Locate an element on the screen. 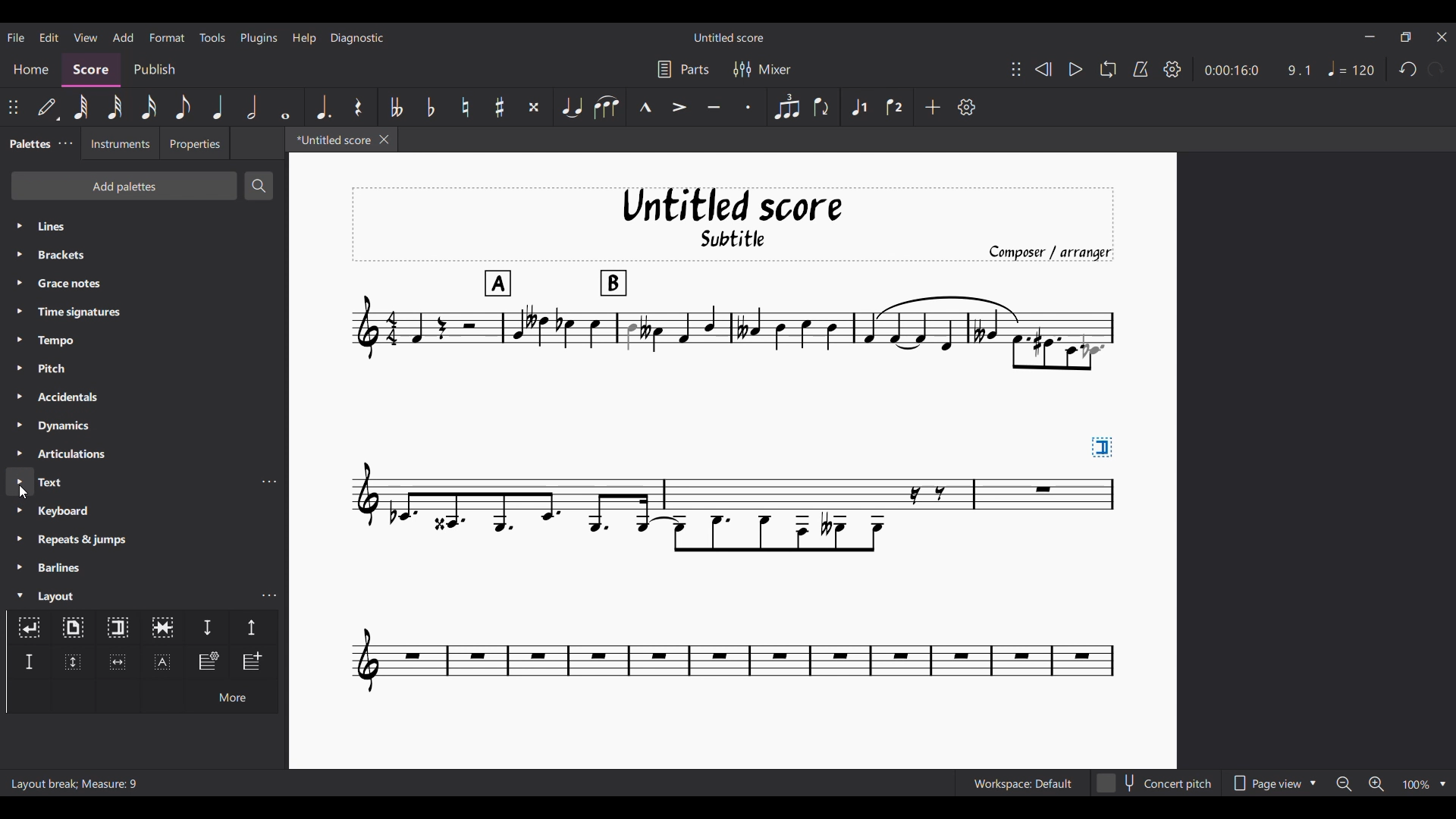 Image resolution: width=1456 pixels, height=819 pixels. Insert one measure before selection is located at coordinates (253, 662).